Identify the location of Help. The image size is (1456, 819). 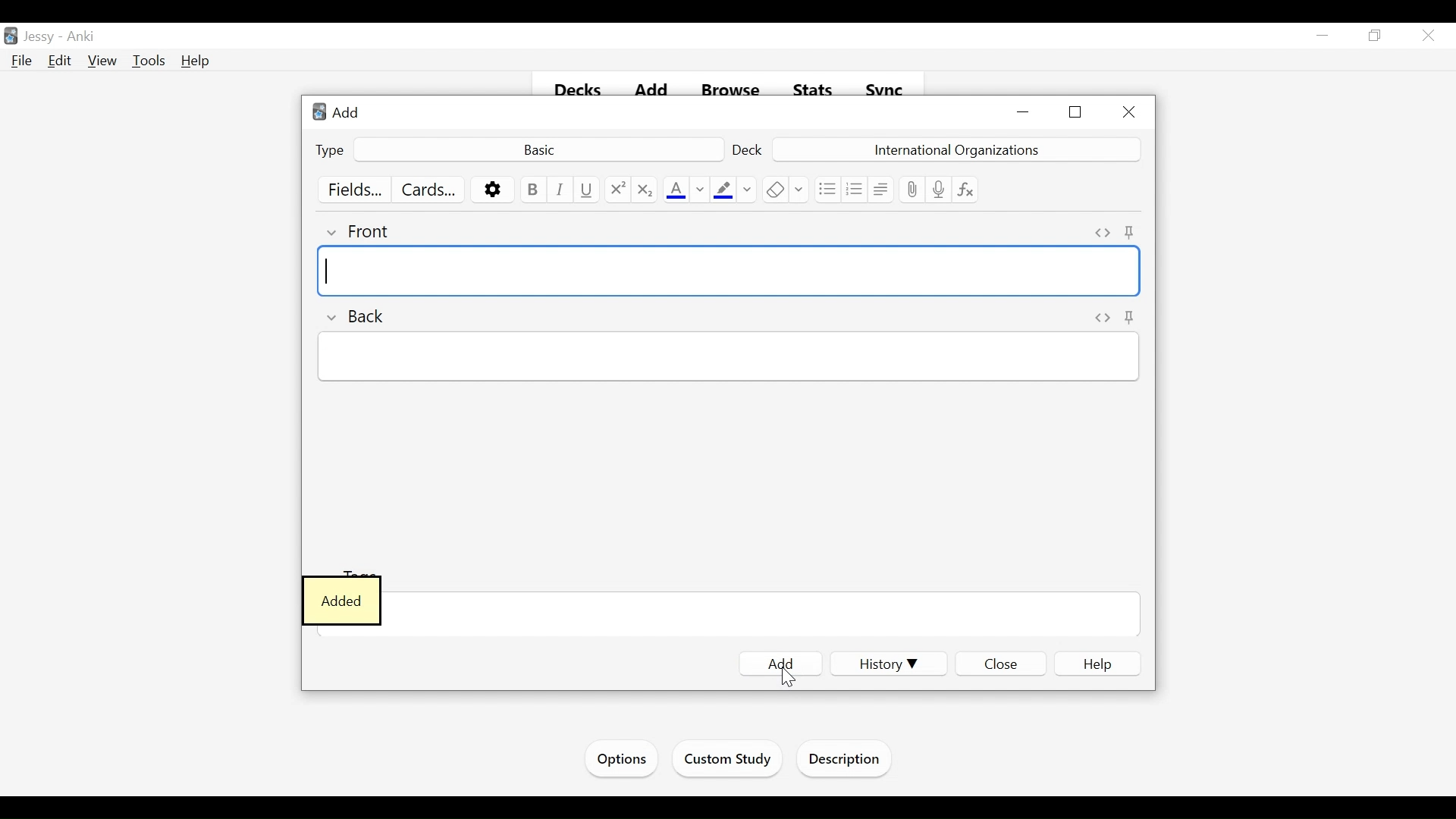
(1097, 663).